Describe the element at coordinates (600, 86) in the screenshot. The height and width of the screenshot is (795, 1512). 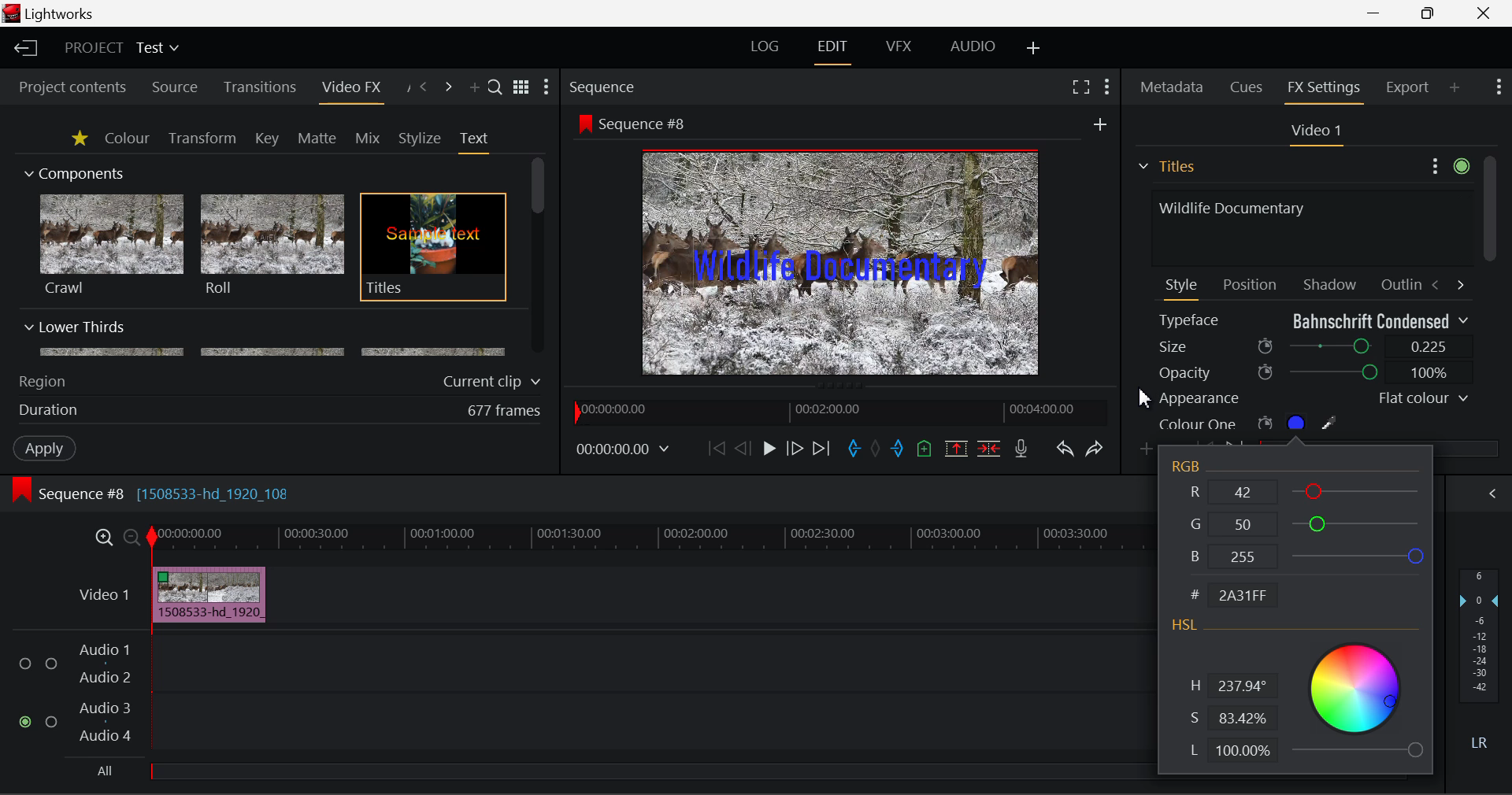
I see `Sequence` at that location.